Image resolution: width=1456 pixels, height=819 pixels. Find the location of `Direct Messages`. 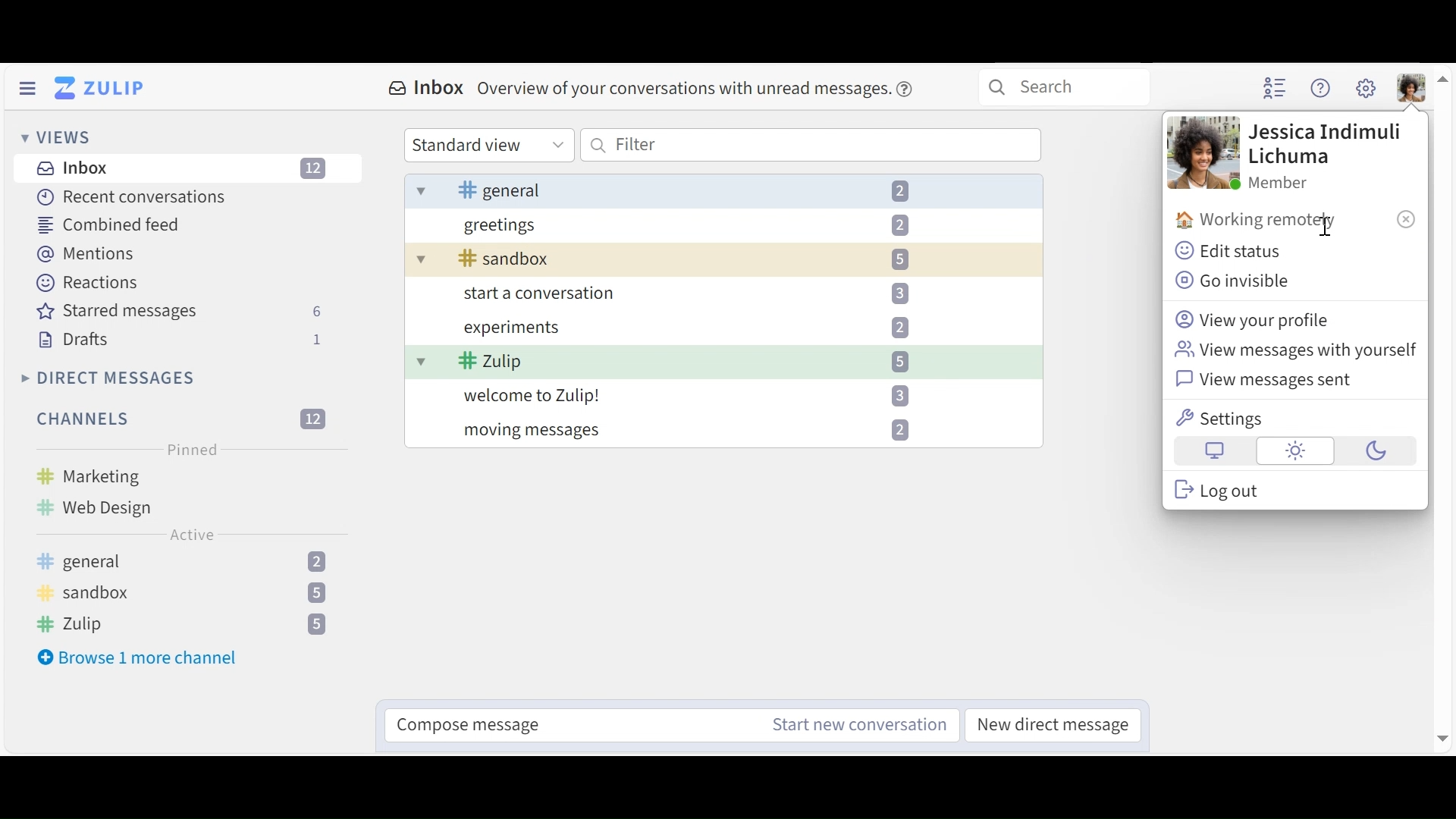

Direct Messages is located at coordinates (108, 378).